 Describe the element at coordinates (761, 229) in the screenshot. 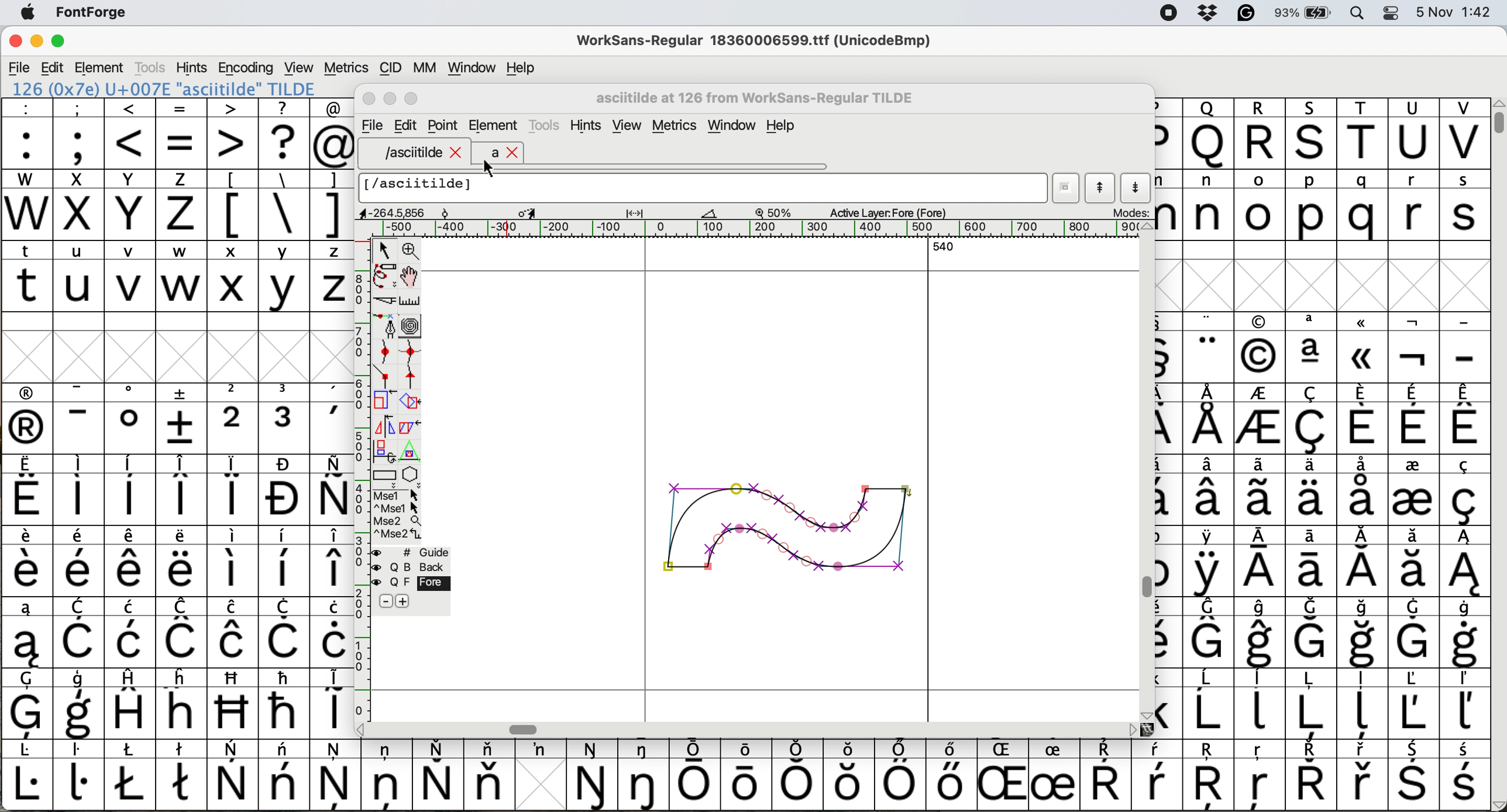

I see `horizontal scale` at that location.